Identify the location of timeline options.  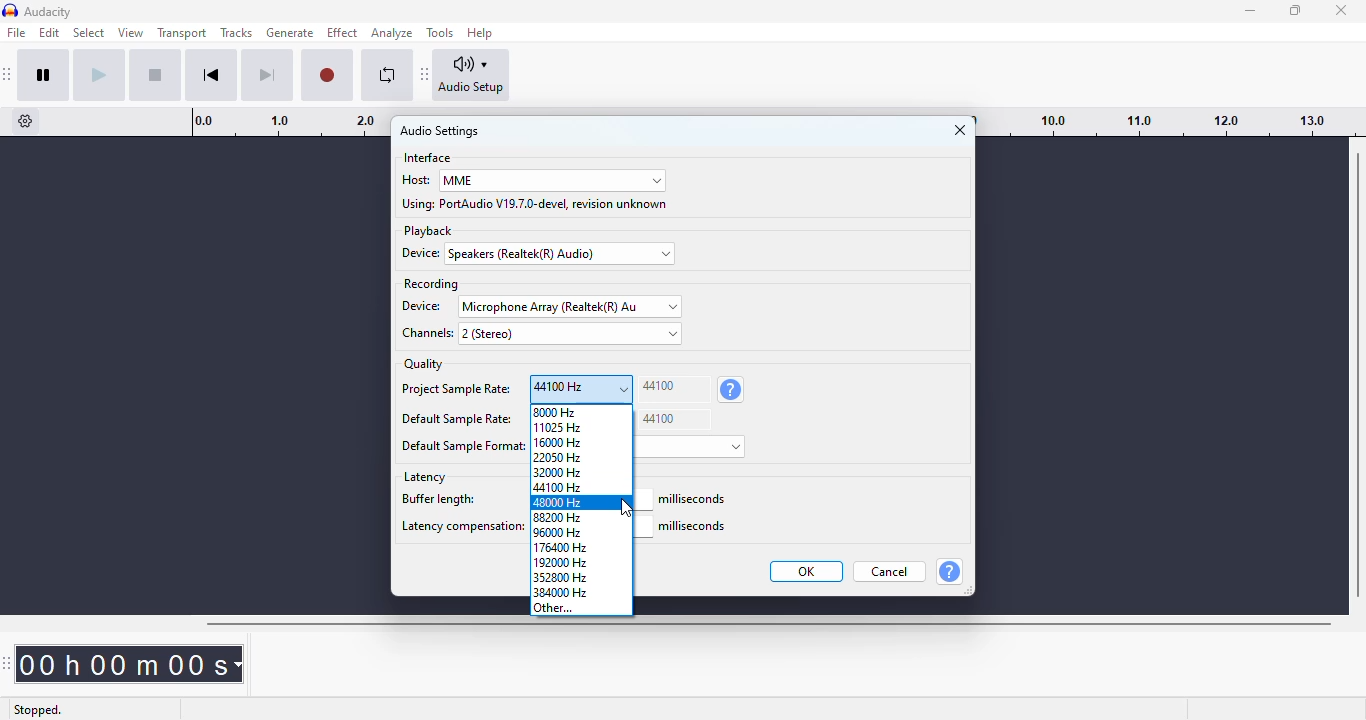
(26, 121).